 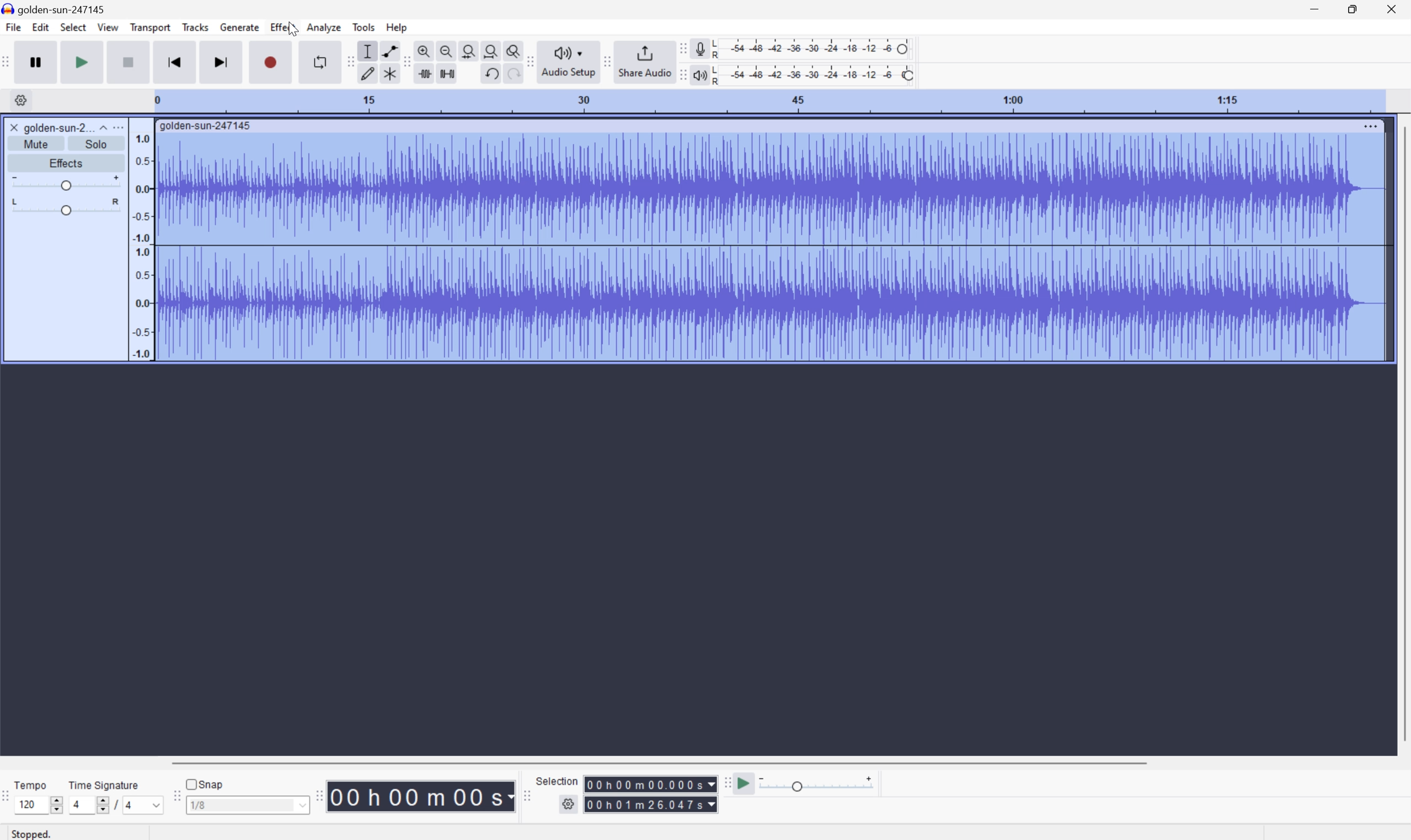 I want to click on Enable looping, so click(x=319, y=62).